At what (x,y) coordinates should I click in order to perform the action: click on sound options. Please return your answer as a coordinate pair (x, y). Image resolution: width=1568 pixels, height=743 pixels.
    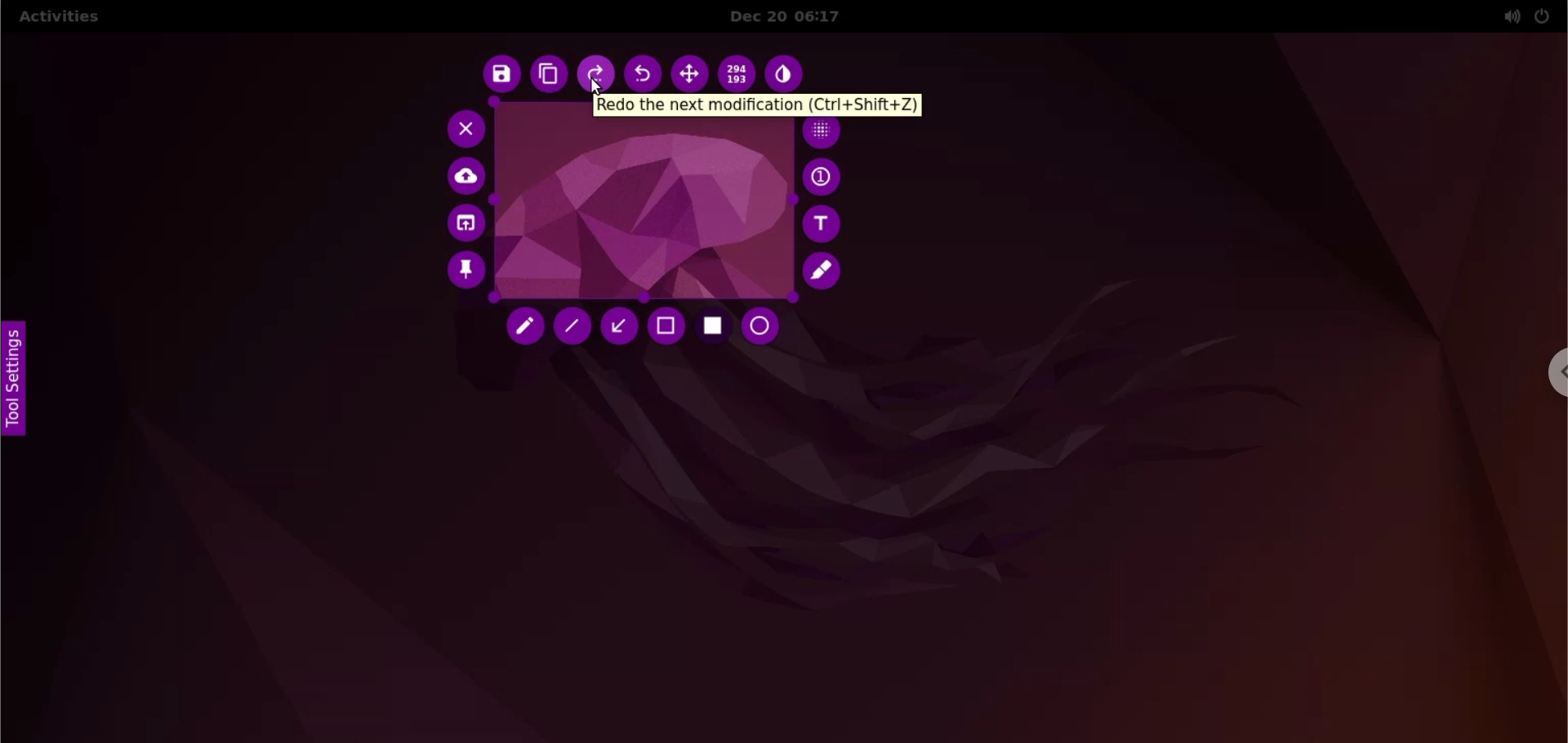
    Looking at the image, I should click on (1508, 16).